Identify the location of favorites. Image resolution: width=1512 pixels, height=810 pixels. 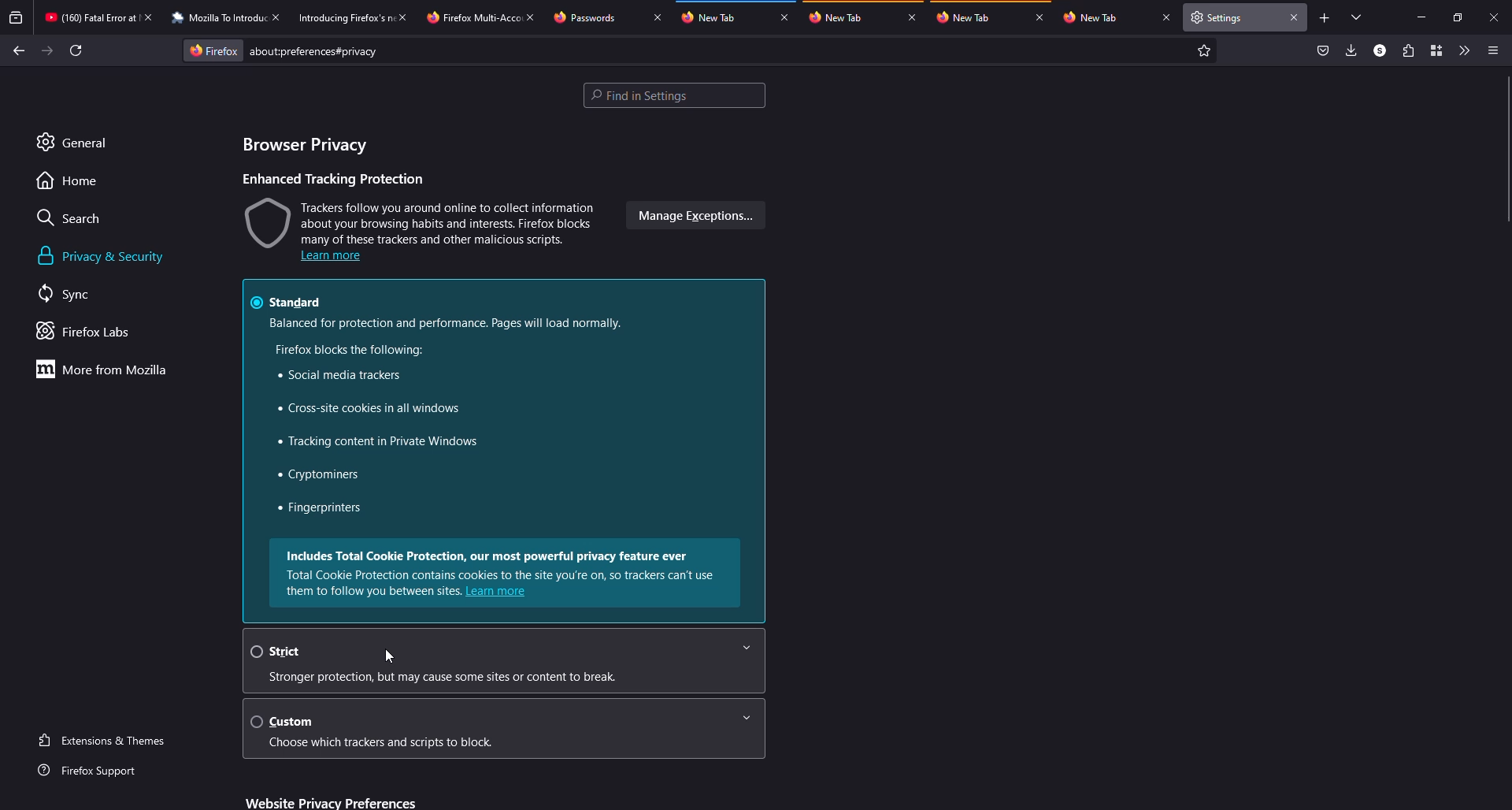
(1203, 49).